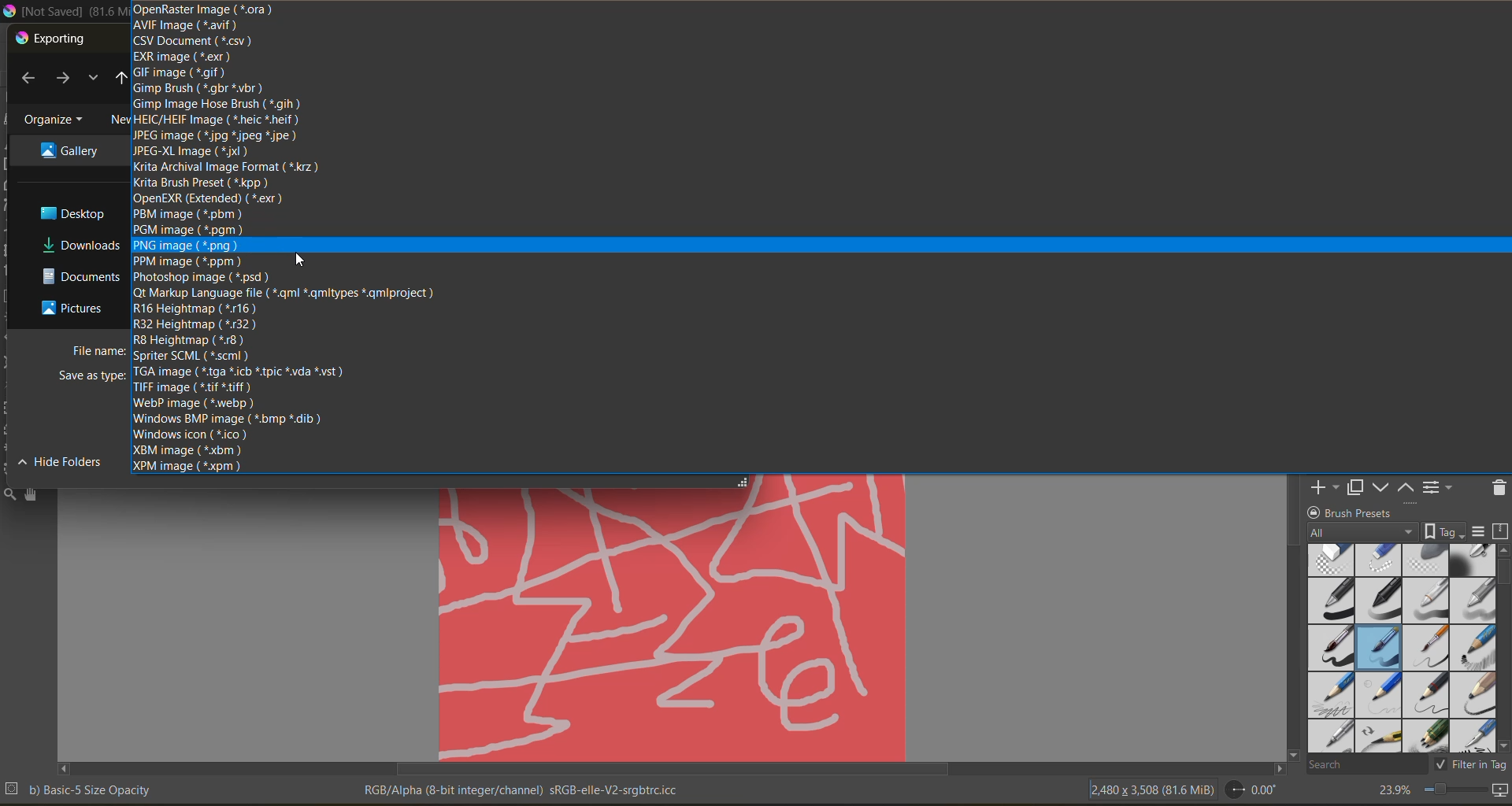 The image size is (1512, 806). Describe the element at coordinates (183, 57) in the screenshot. I see `exr image` at that location.